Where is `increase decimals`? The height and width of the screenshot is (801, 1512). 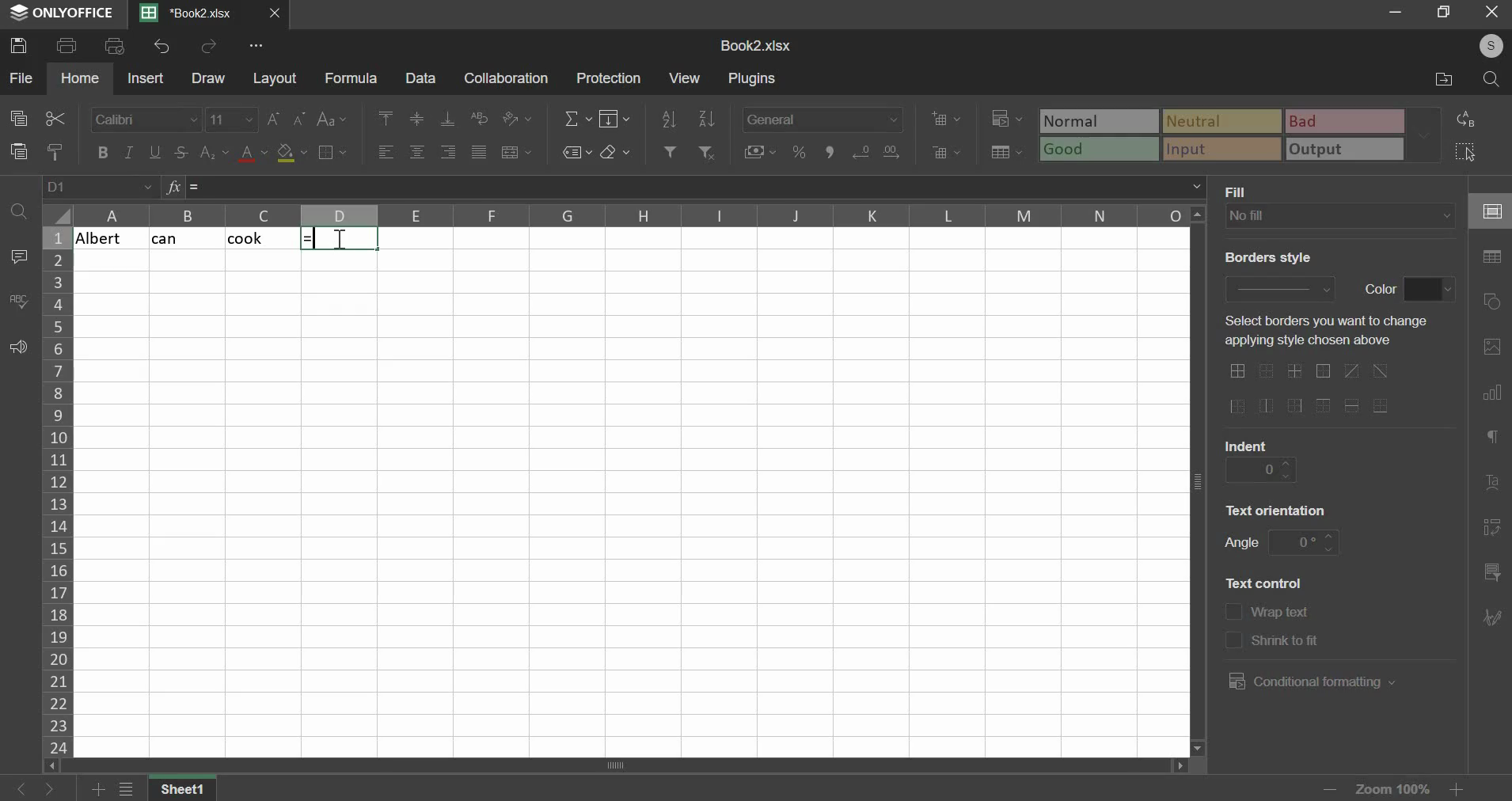
increase decimals is located at coordinates (861, 150).